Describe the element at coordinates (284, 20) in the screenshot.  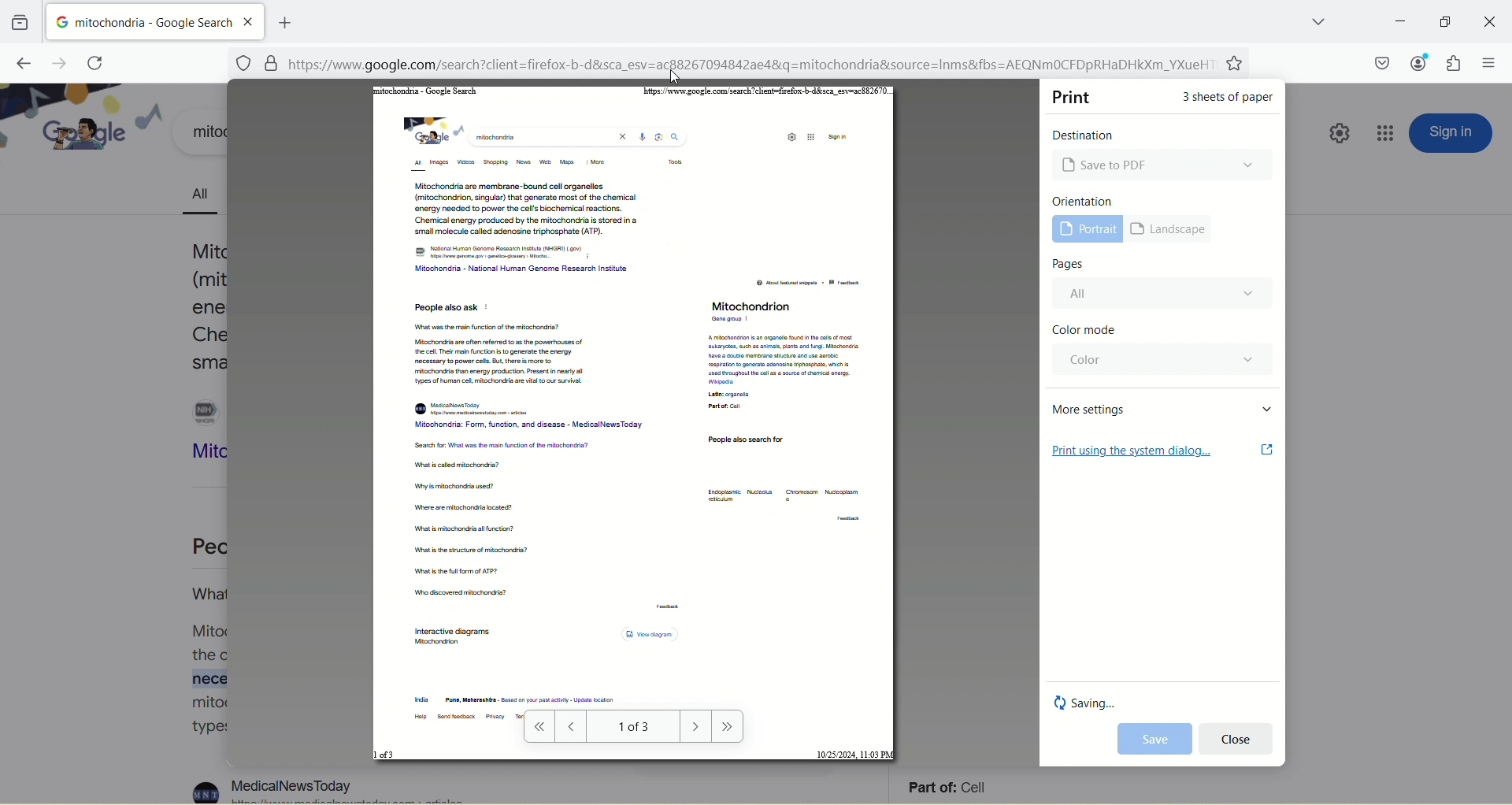
I see `add new tab` at that location.